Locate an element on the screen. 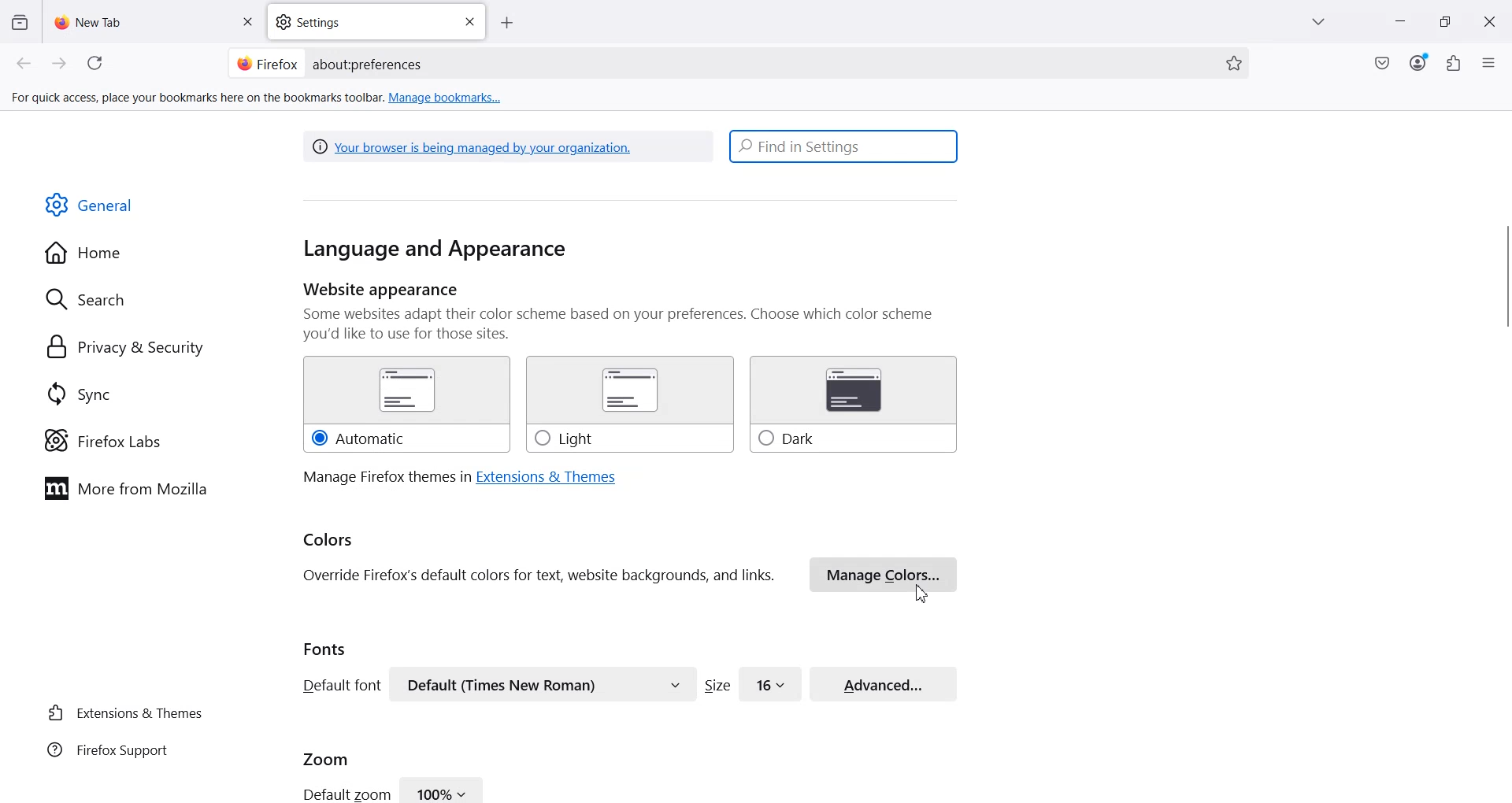  Add New Tab is located at coordinates (507, 24).